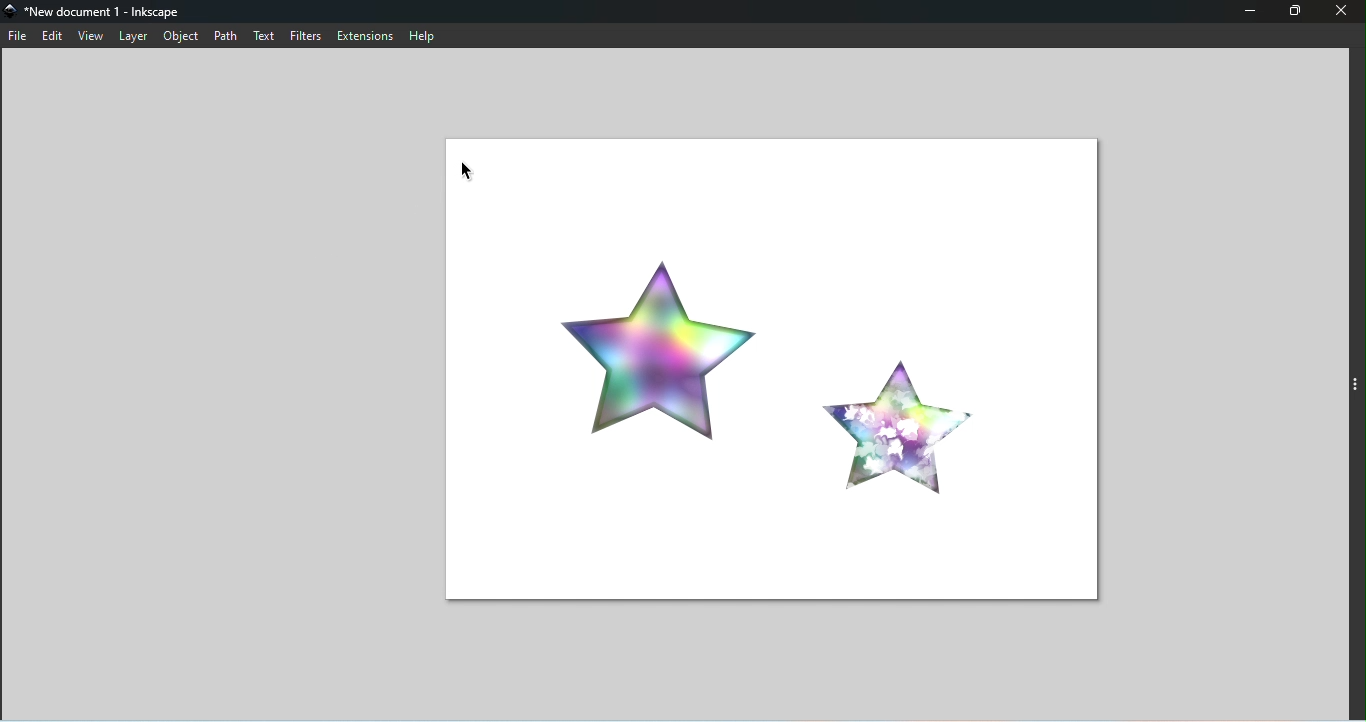  I want to click on Canvas, so click(768, 370).